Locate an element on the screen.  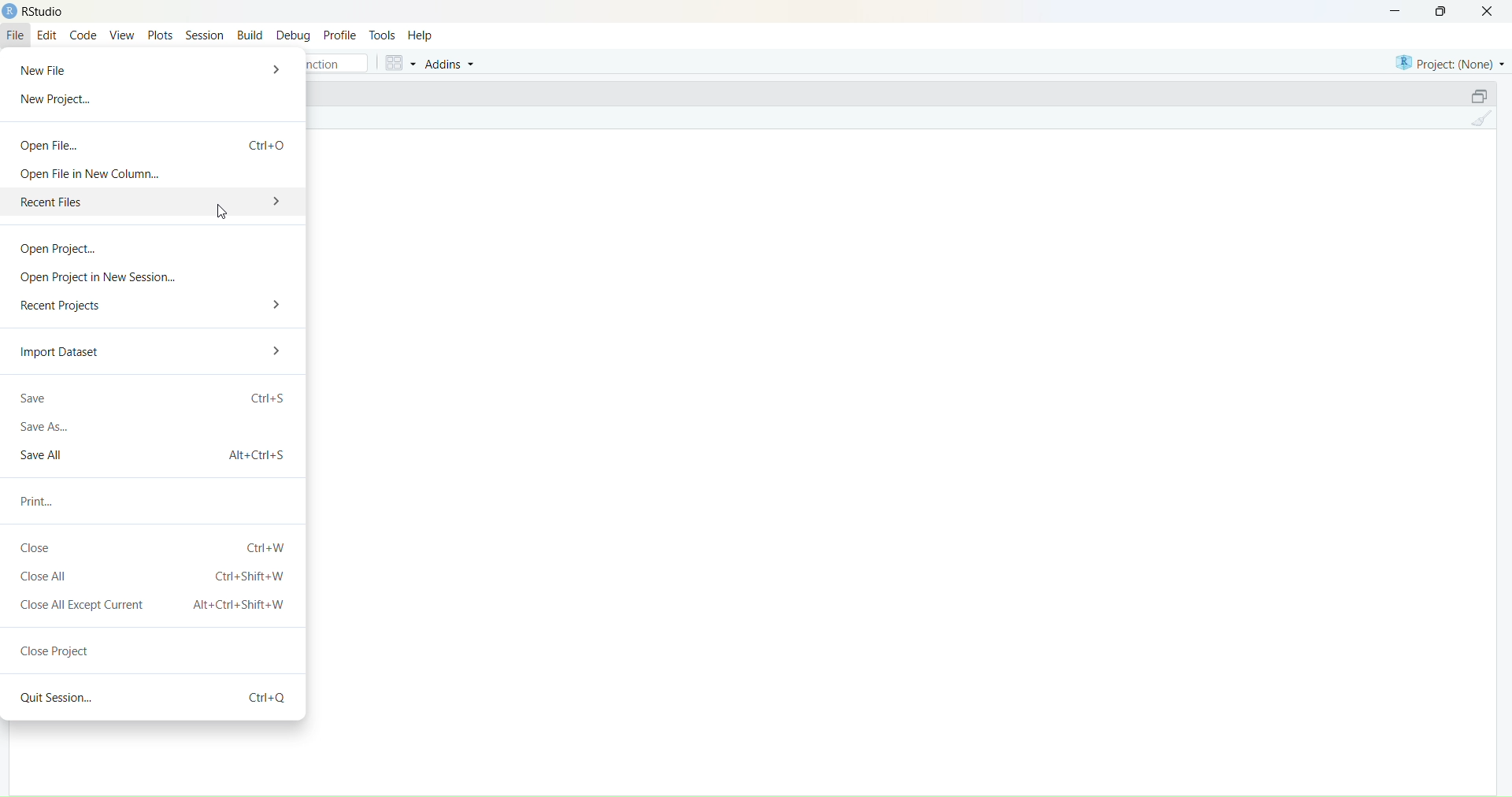
More is located at coordinates (277, 199).